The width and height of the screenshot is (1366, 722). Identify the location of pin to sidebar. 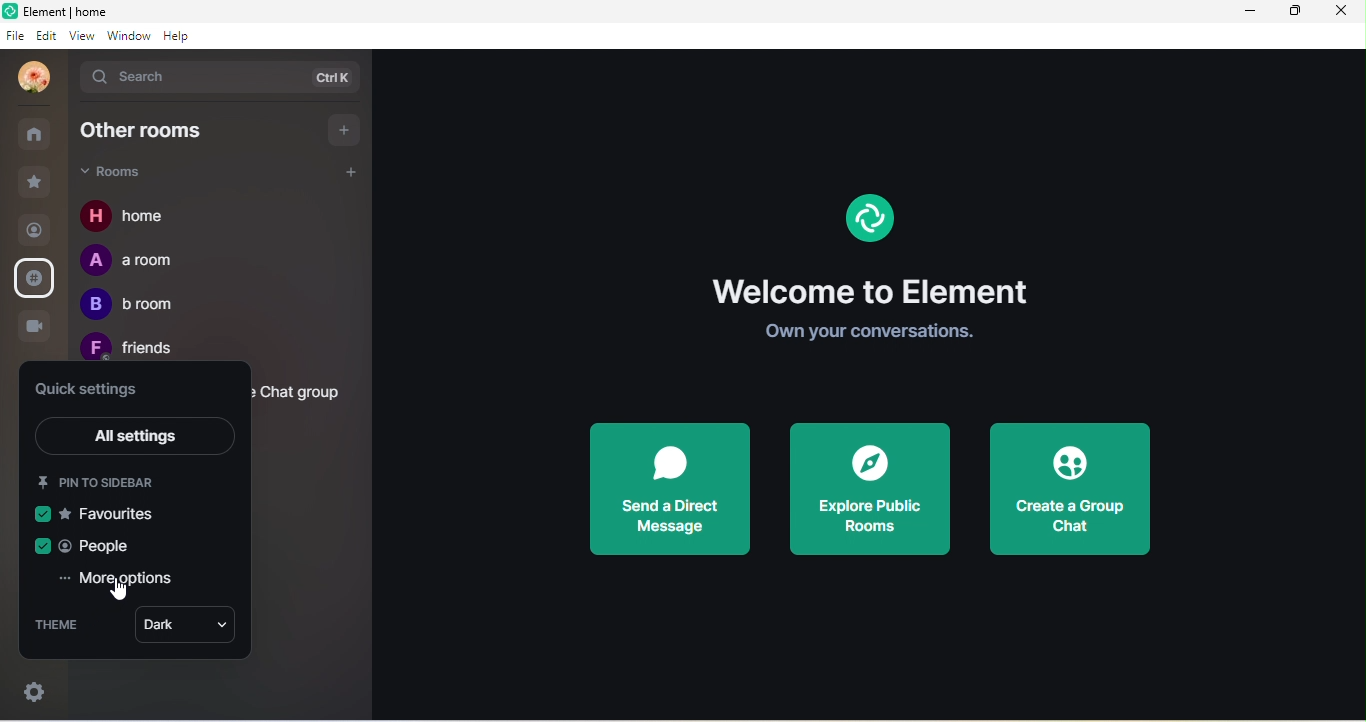
(103, 480).